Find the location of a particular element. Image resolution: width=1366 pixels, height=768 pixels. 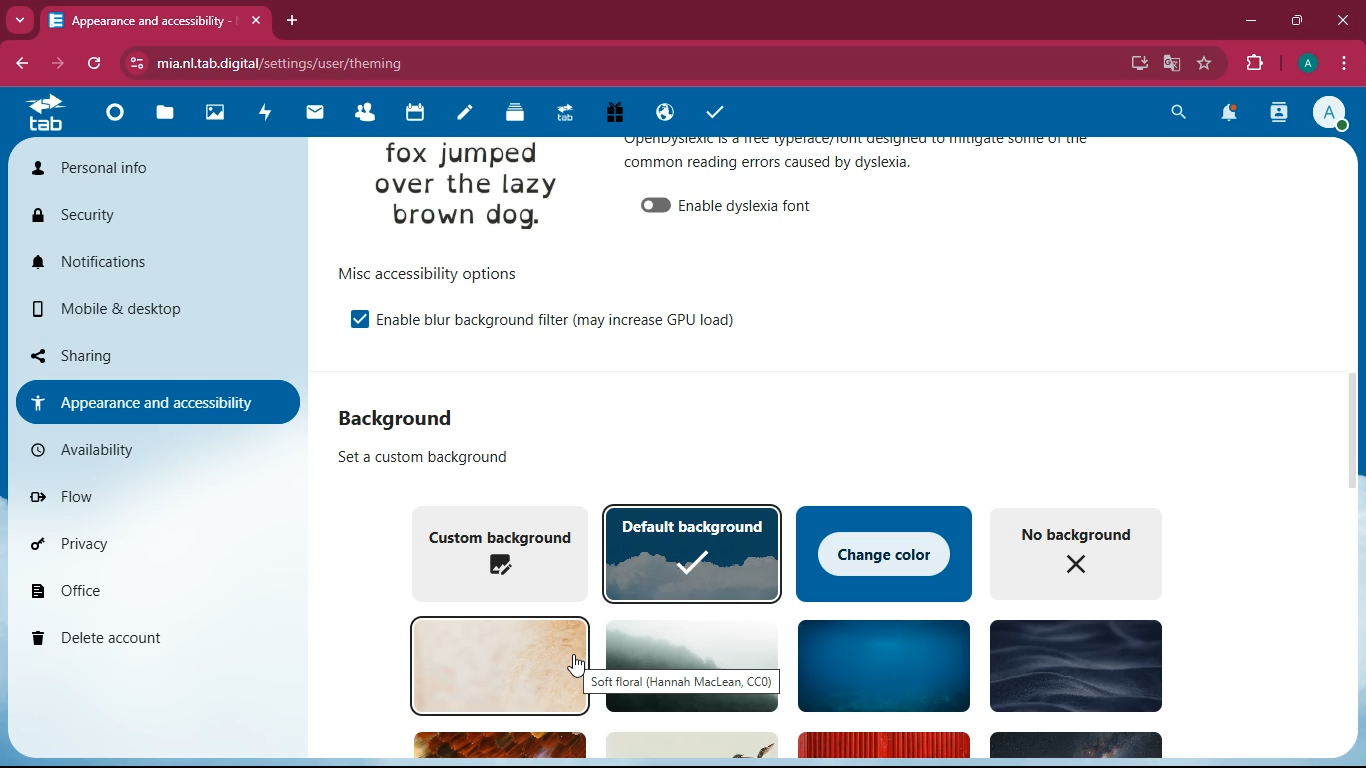

off is located at coordinates (656, 205).